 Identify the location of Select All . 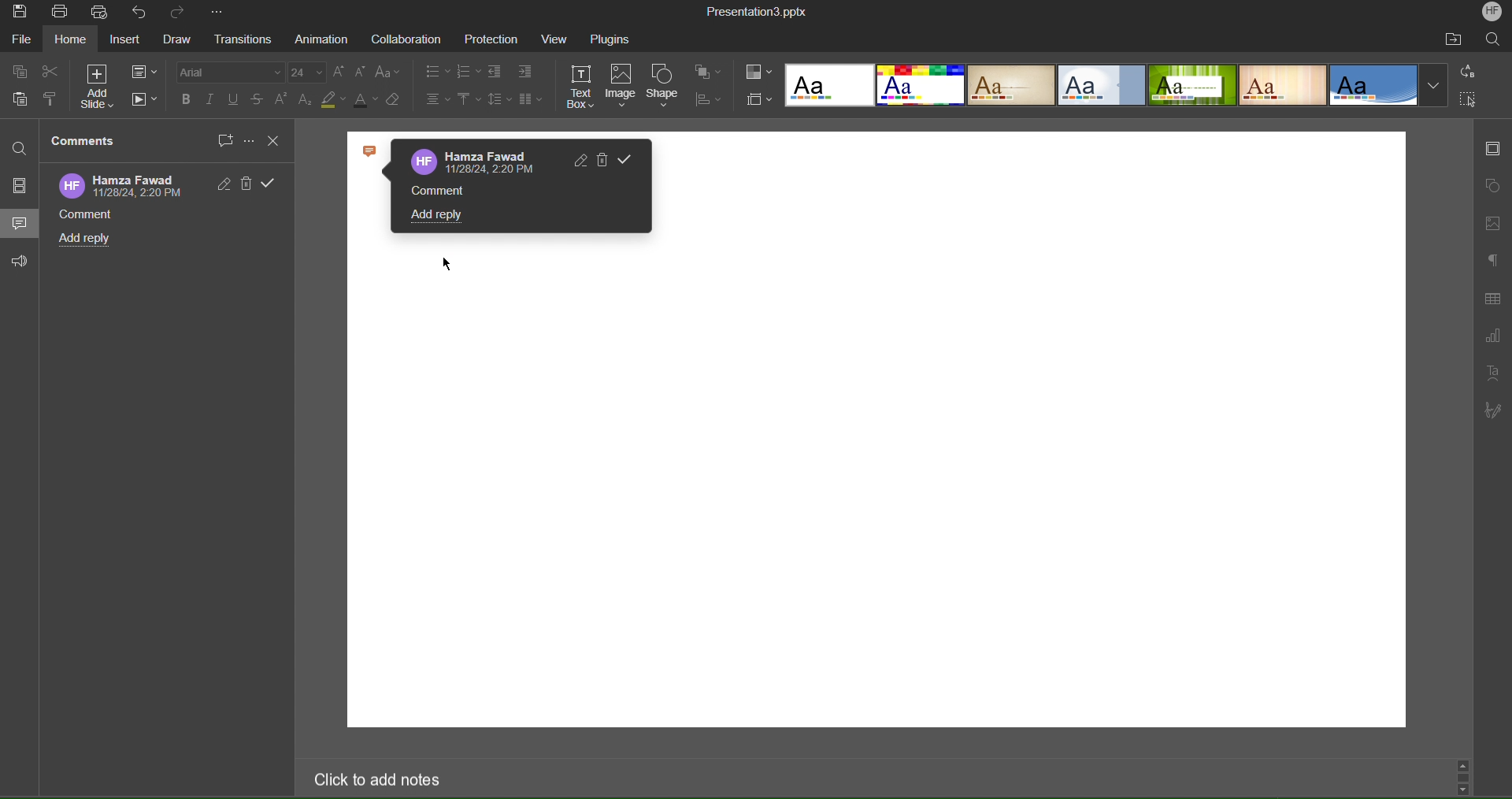
(1469, 100).